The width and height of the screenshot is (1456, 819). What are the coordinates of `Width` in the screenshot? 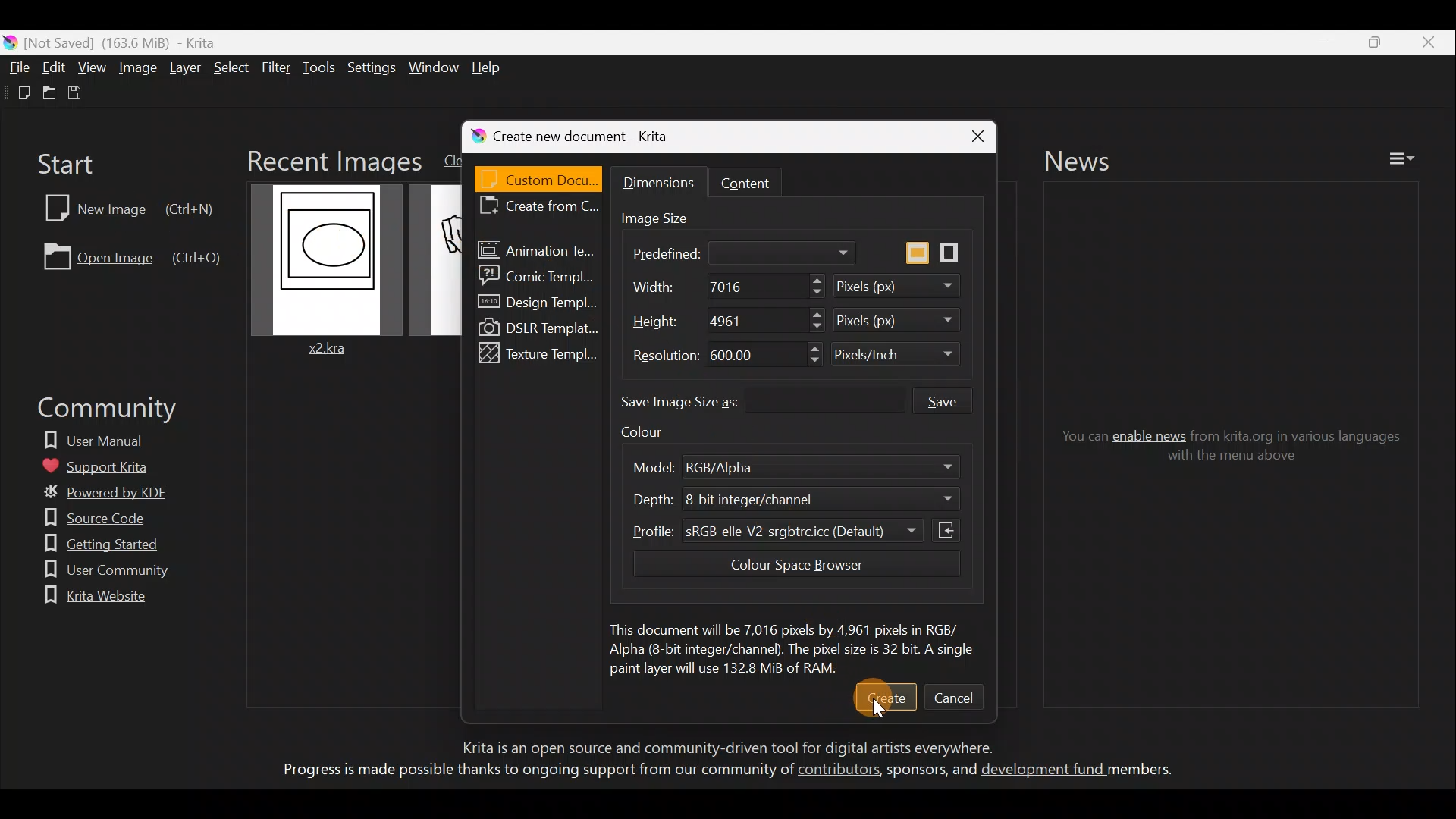 It's located at (651, 288).